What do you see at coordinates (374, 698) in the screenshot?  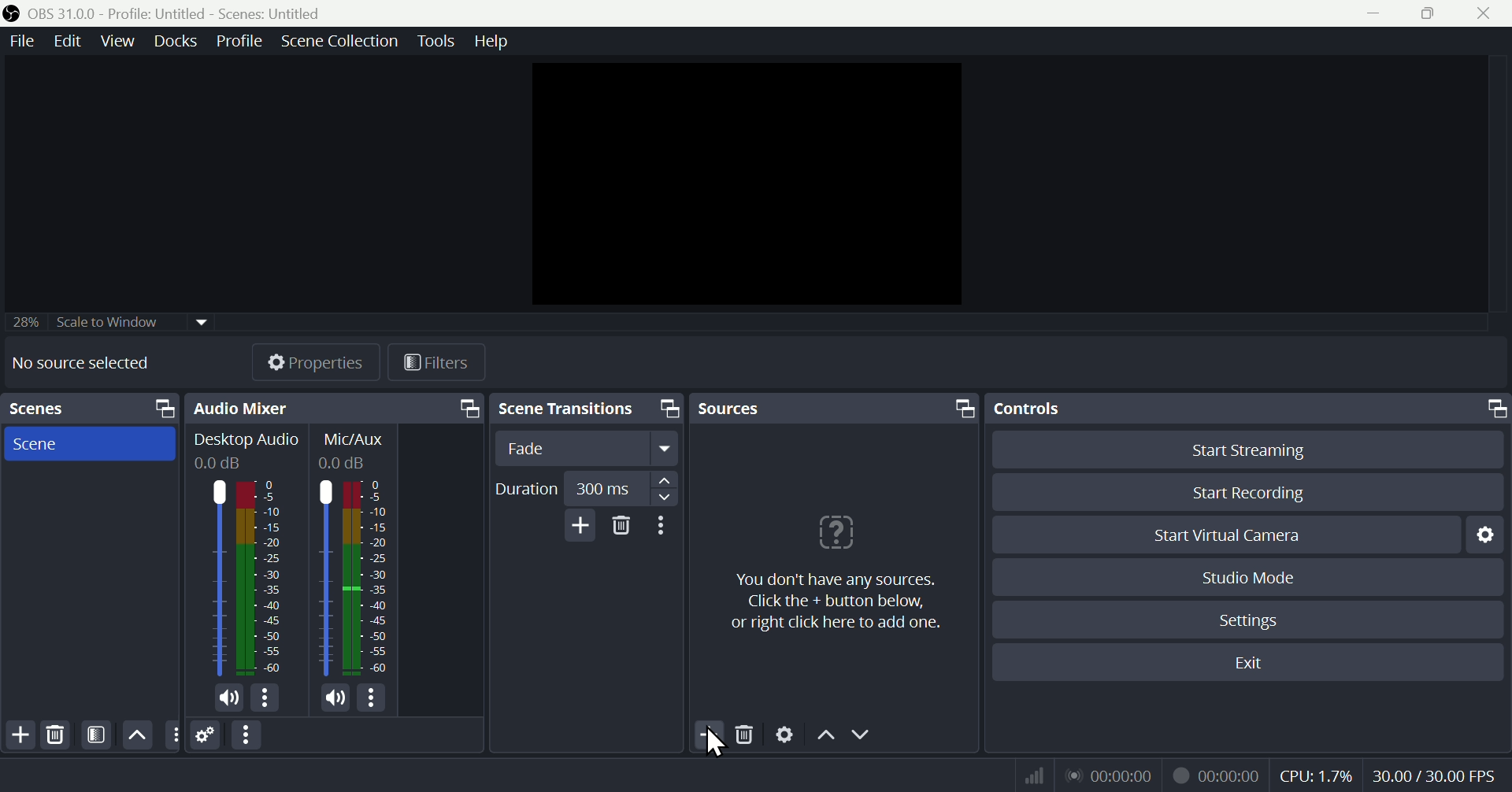 I see `More options` at bounding box center [374, 698].